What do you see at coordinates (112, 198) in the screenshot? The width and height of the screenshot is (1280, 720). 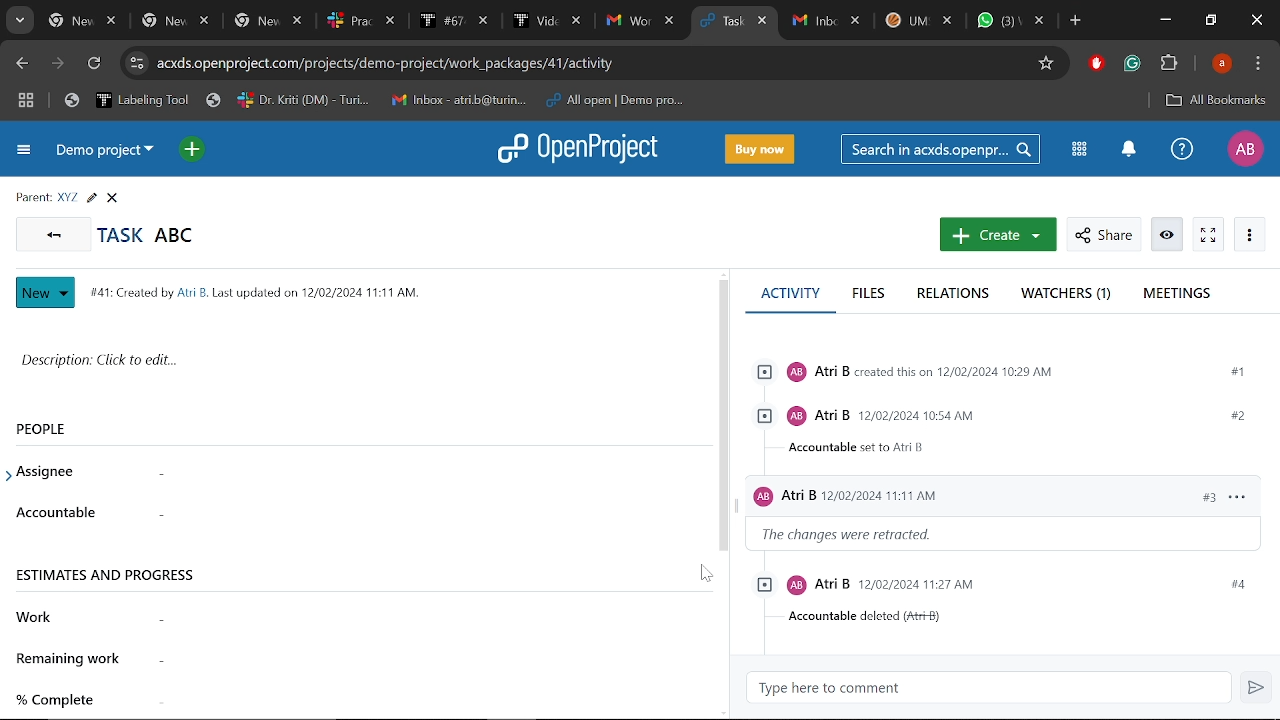 I see `Close` at bounding box center [112, 198].